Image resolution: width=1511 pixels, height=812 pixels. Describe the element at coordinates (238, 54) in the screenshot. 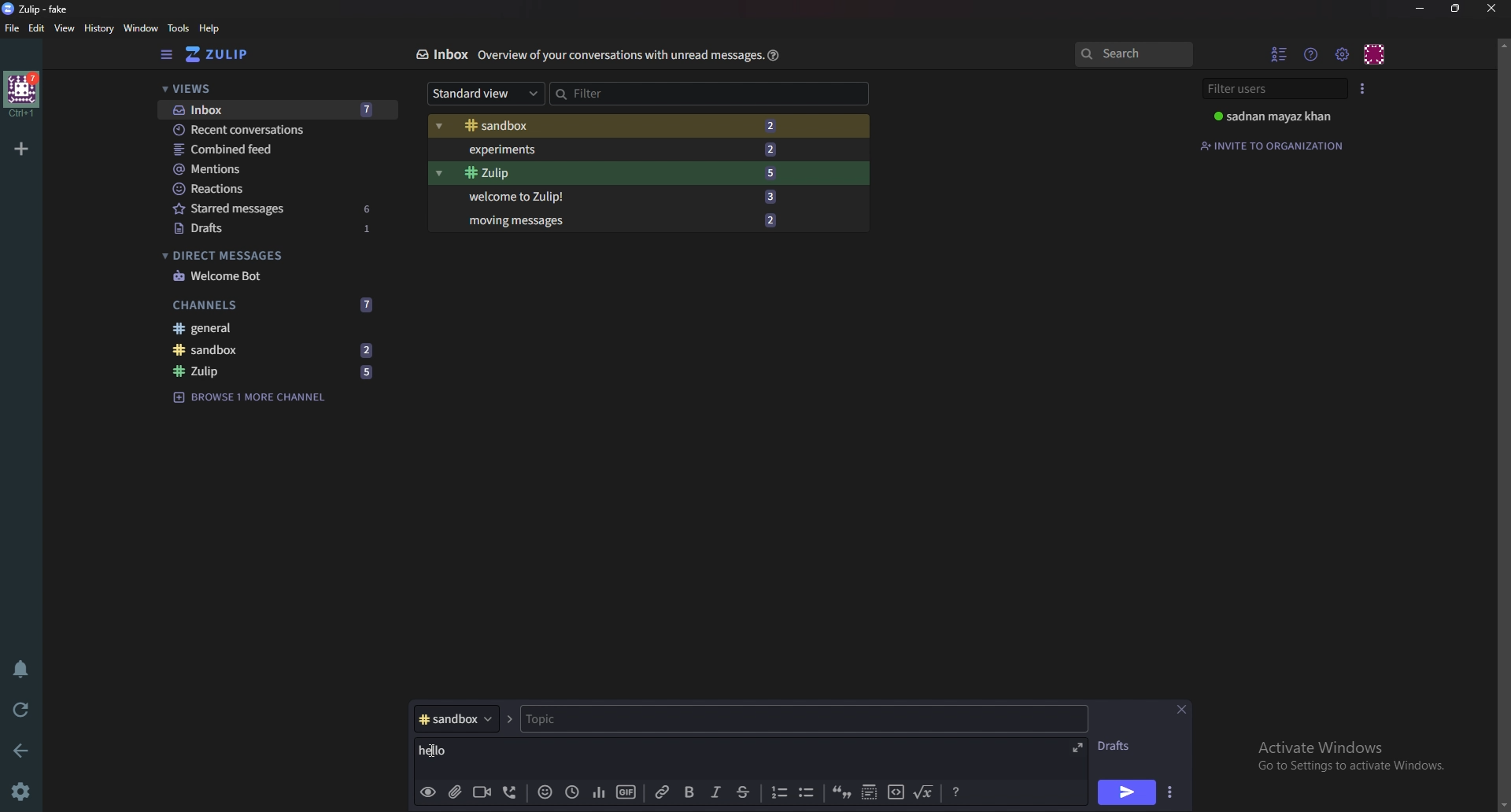

I see `zulip` at that location.